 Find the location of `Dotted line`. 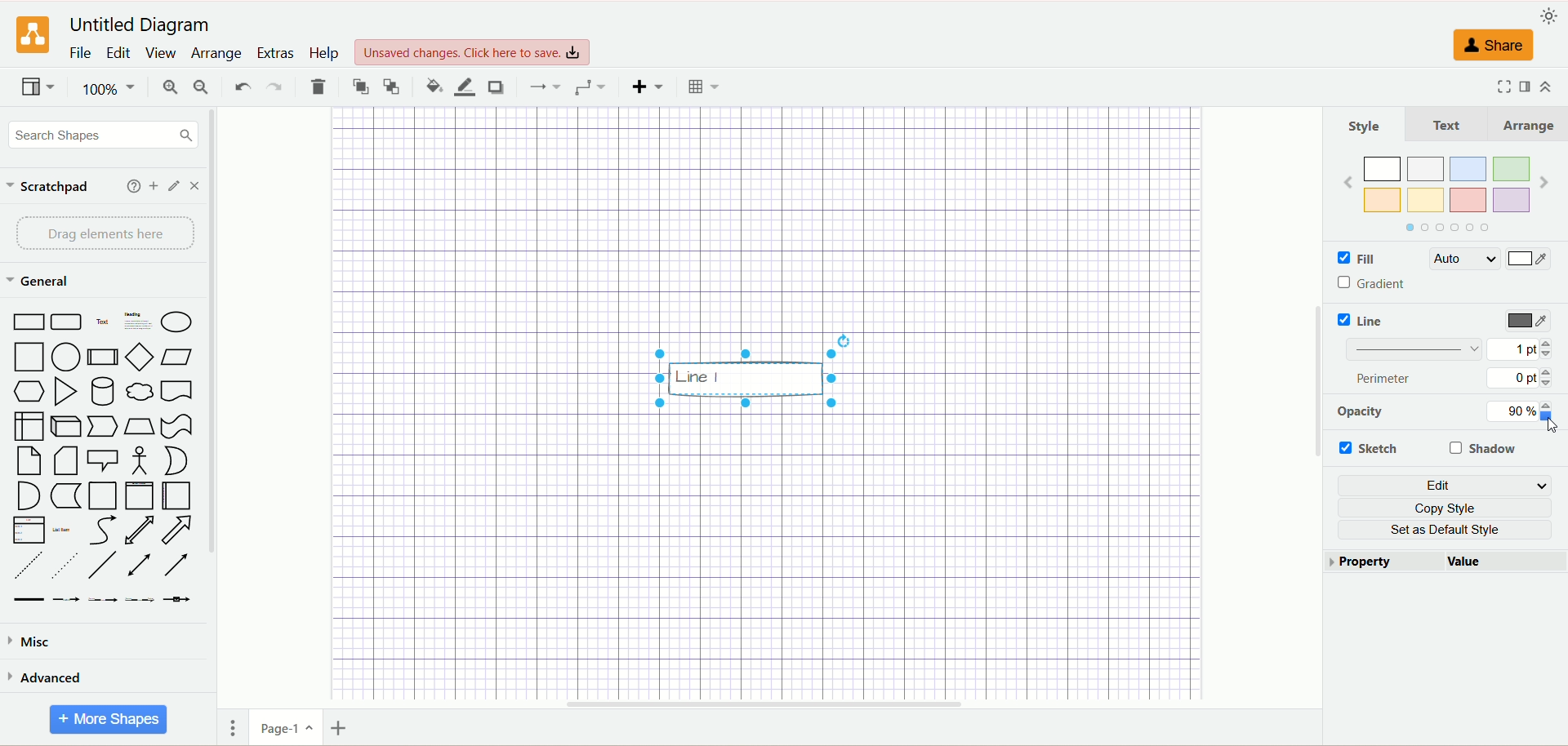

Dotted line is located at coordinates (63, 566).